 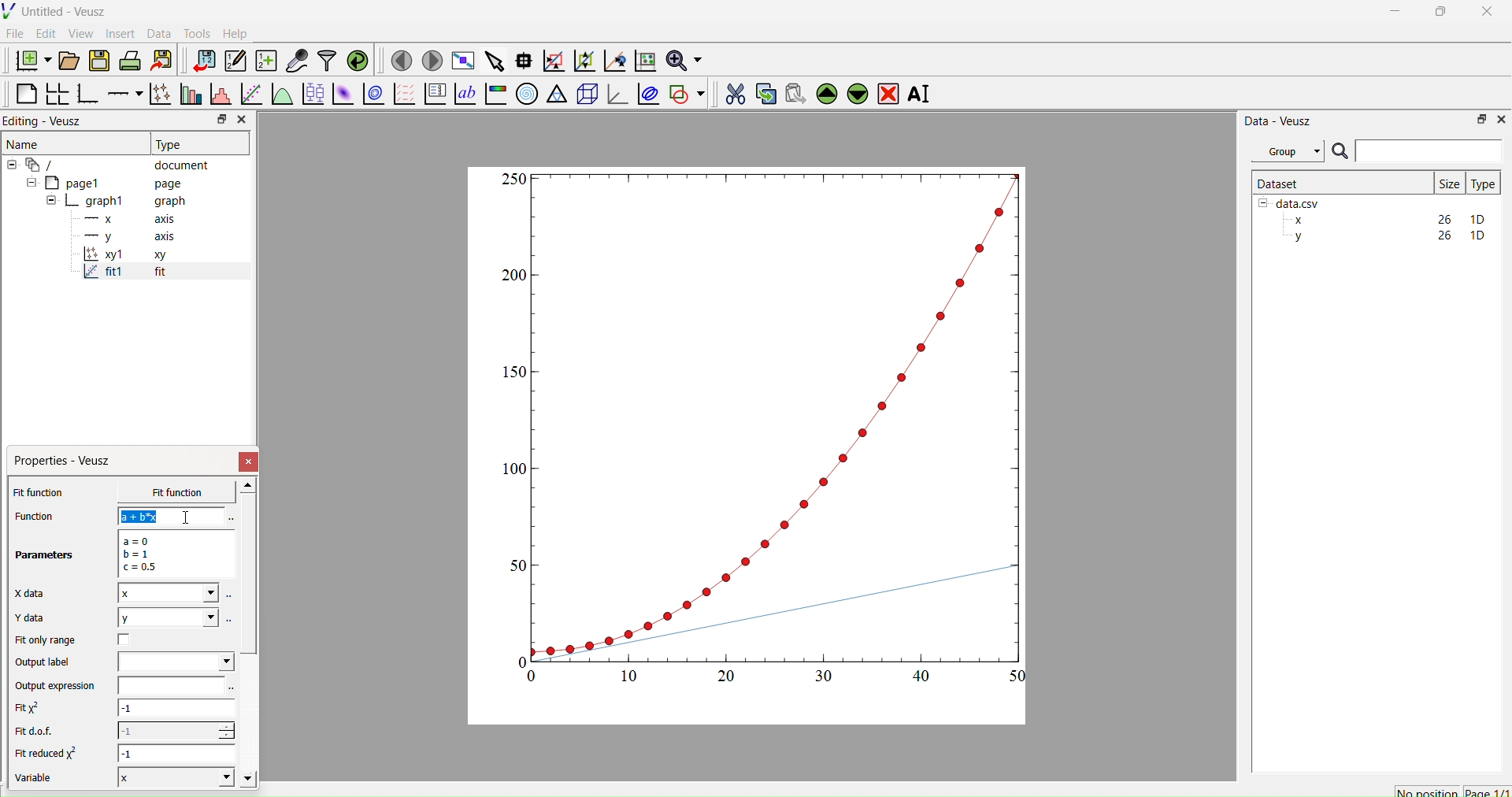 What do you see at coordinates (857, 91) in the screenshot?
I see `Down` at bounding box center [857, 91].